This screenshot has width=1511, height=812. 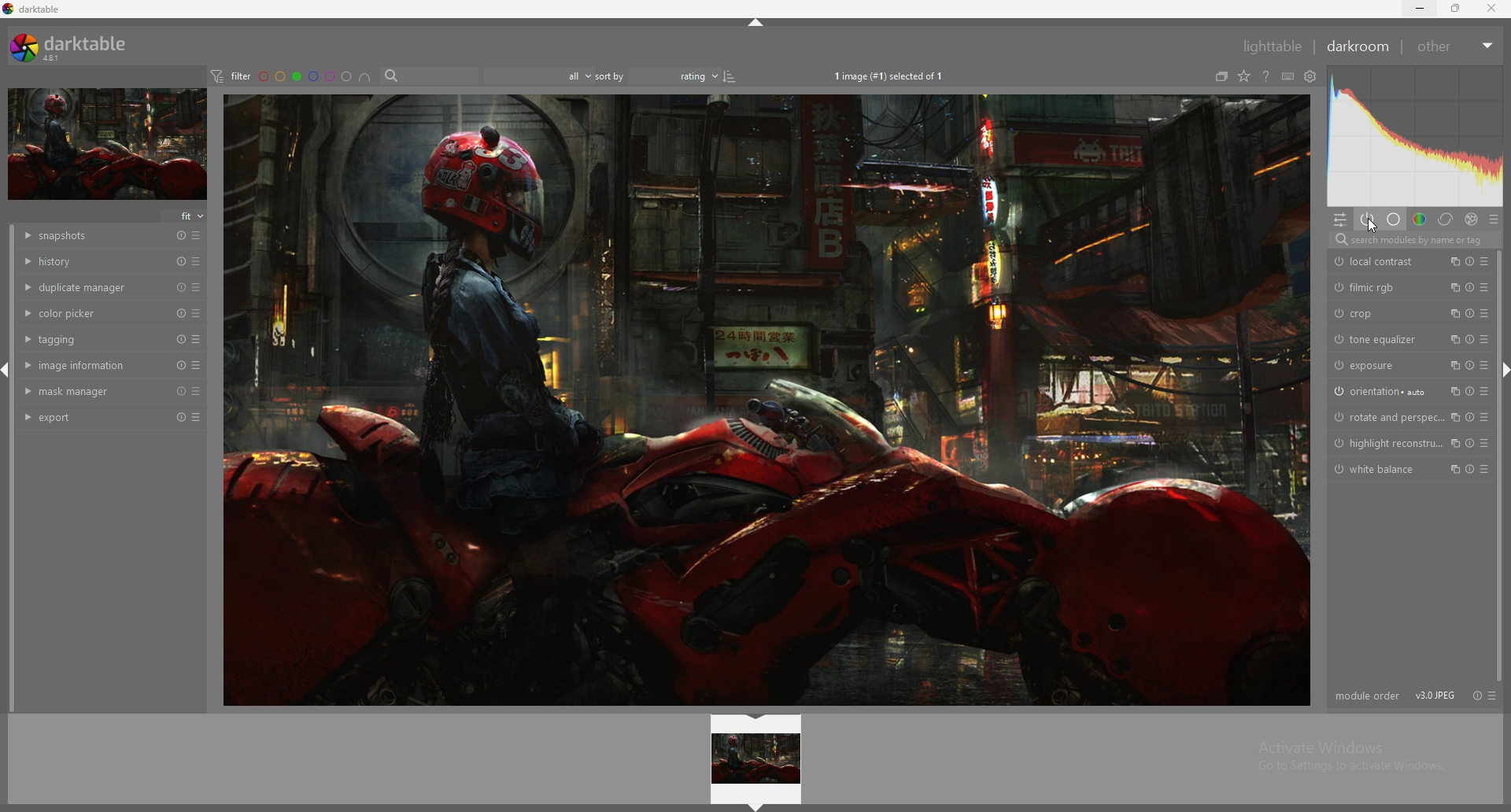 I want to click on presets, so click(x=198, y=313).